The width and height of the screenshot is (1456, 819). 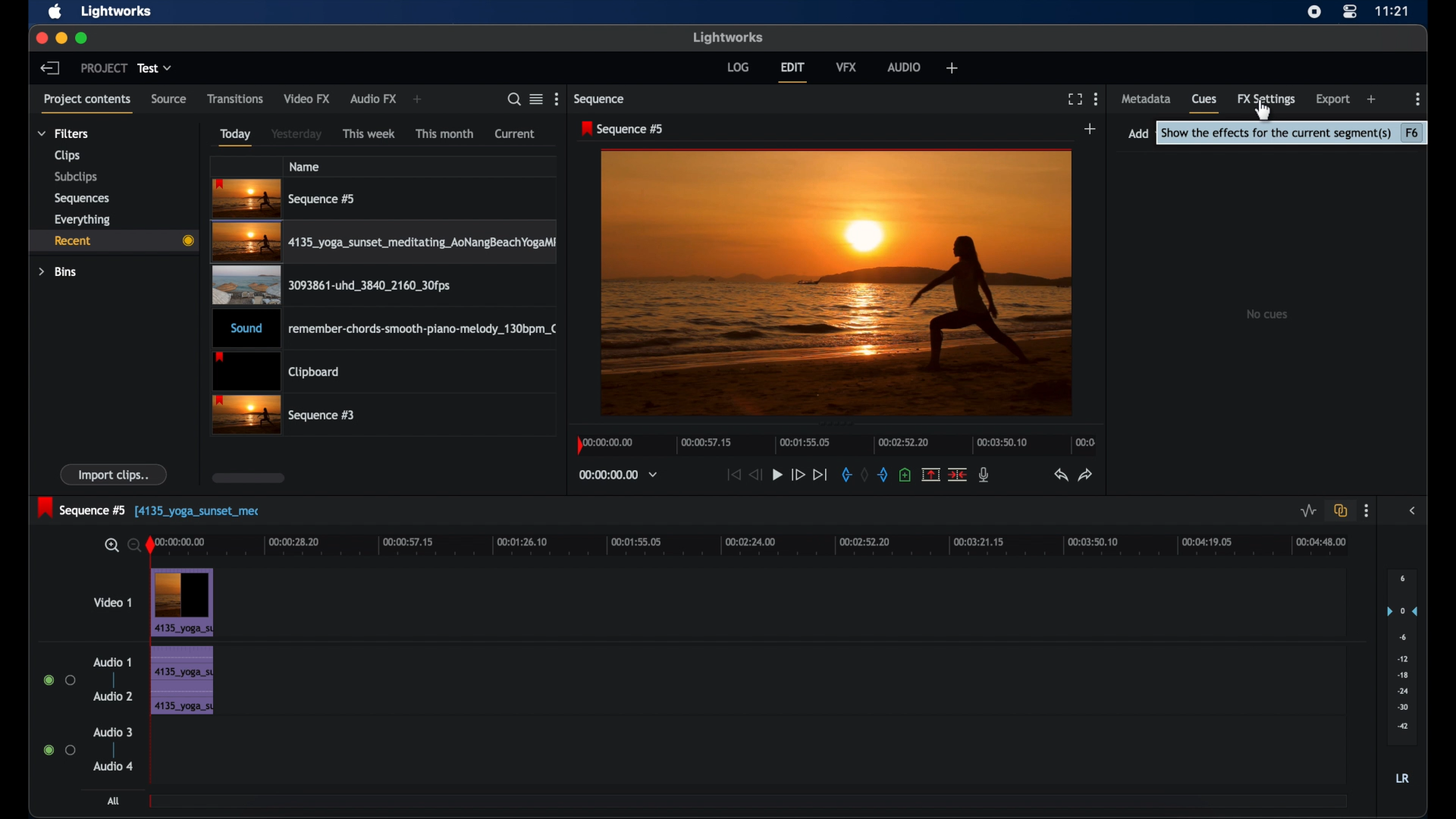 I want to click on video clip, so click(x=184, y=603).